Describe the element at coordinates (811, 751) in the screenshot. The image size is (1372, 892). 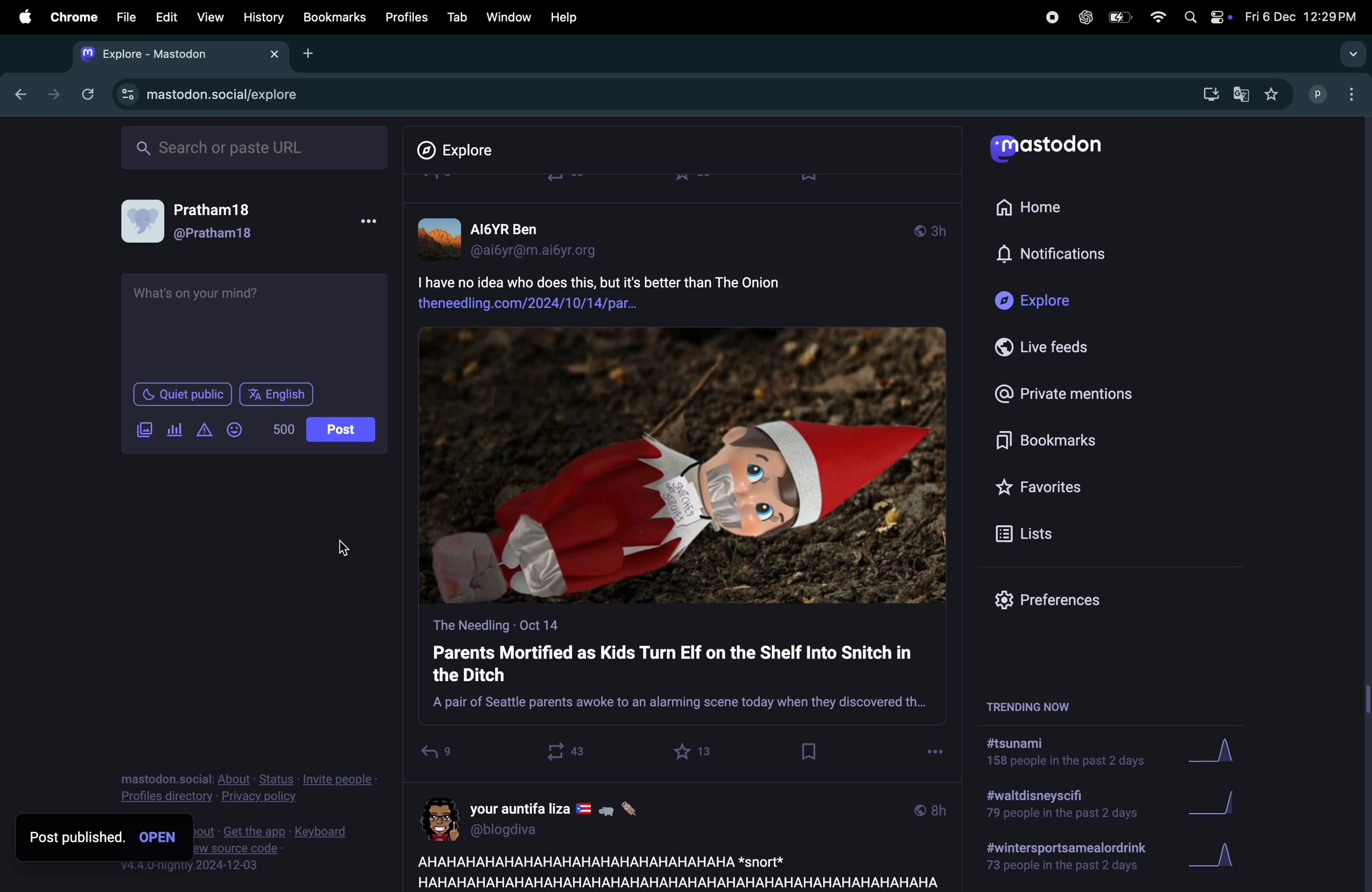
I see `book amrk` at that location.